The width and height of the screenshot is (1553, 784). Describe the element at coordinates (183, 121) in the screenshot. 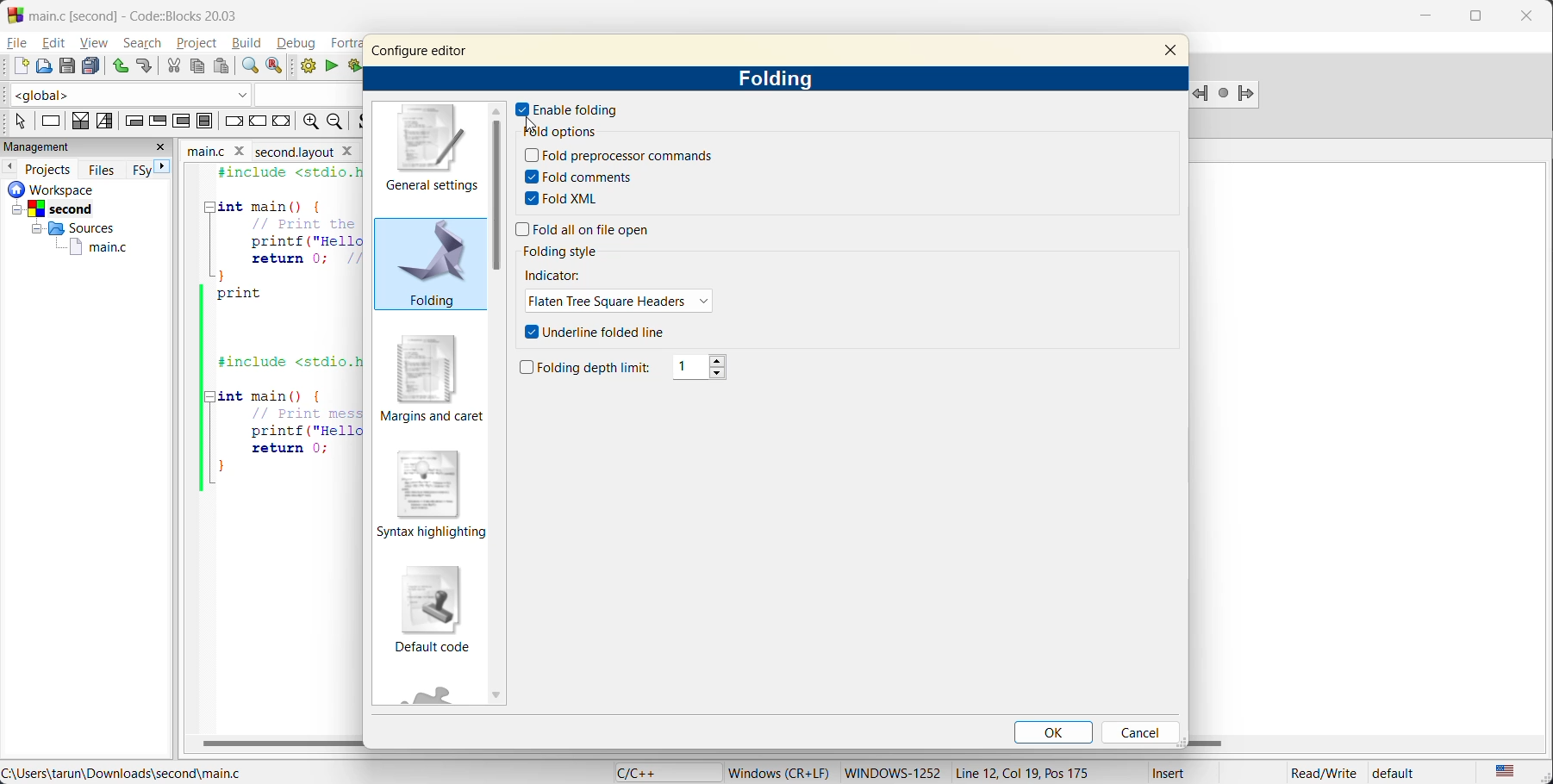

I see `counting loop` at that location.